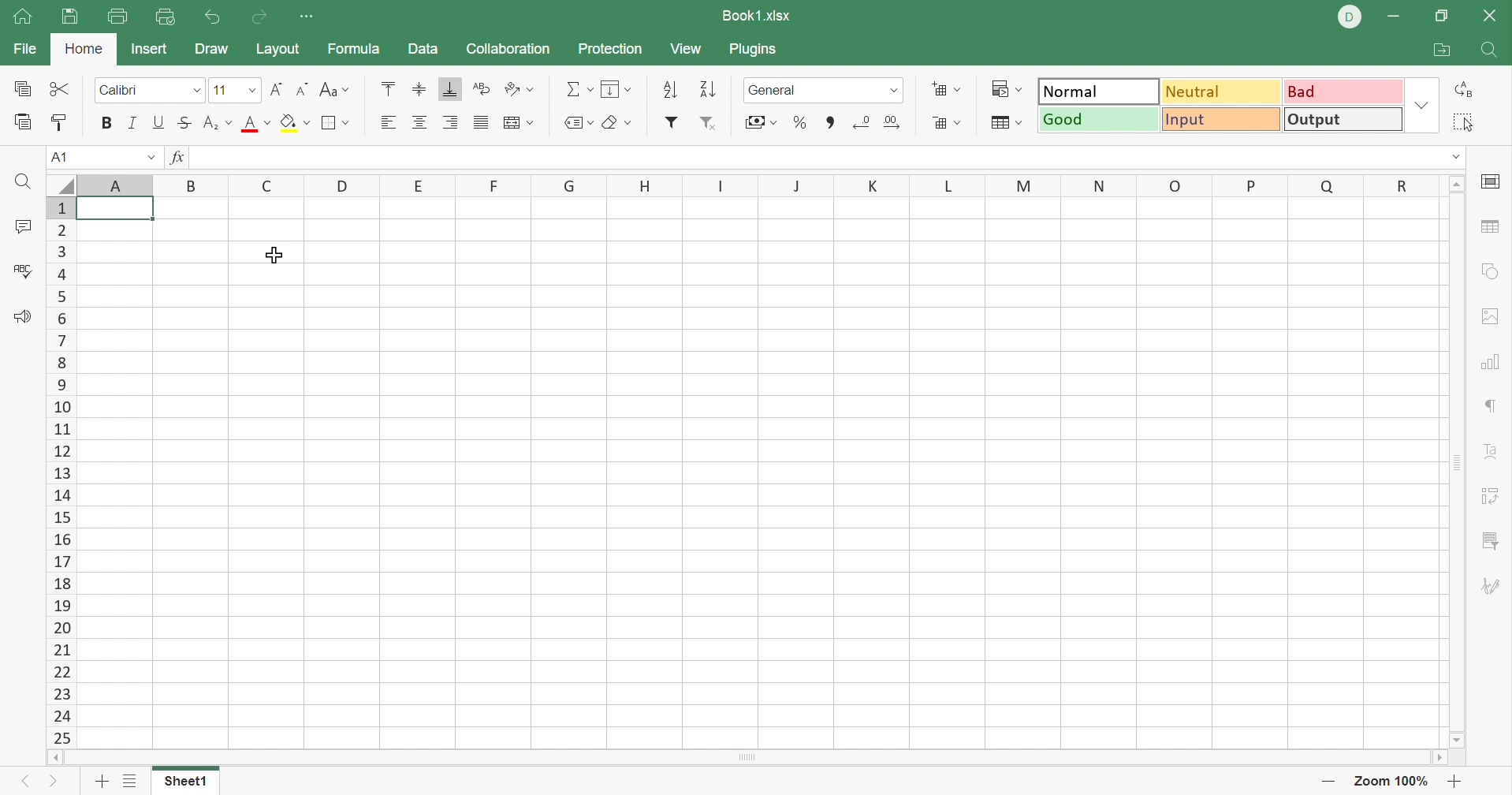 This screenshot has width=1512, height=795. What do you see at coordinates (255, 125) in the screenshot?
I see `Font color` at bounding box center [255, 125].